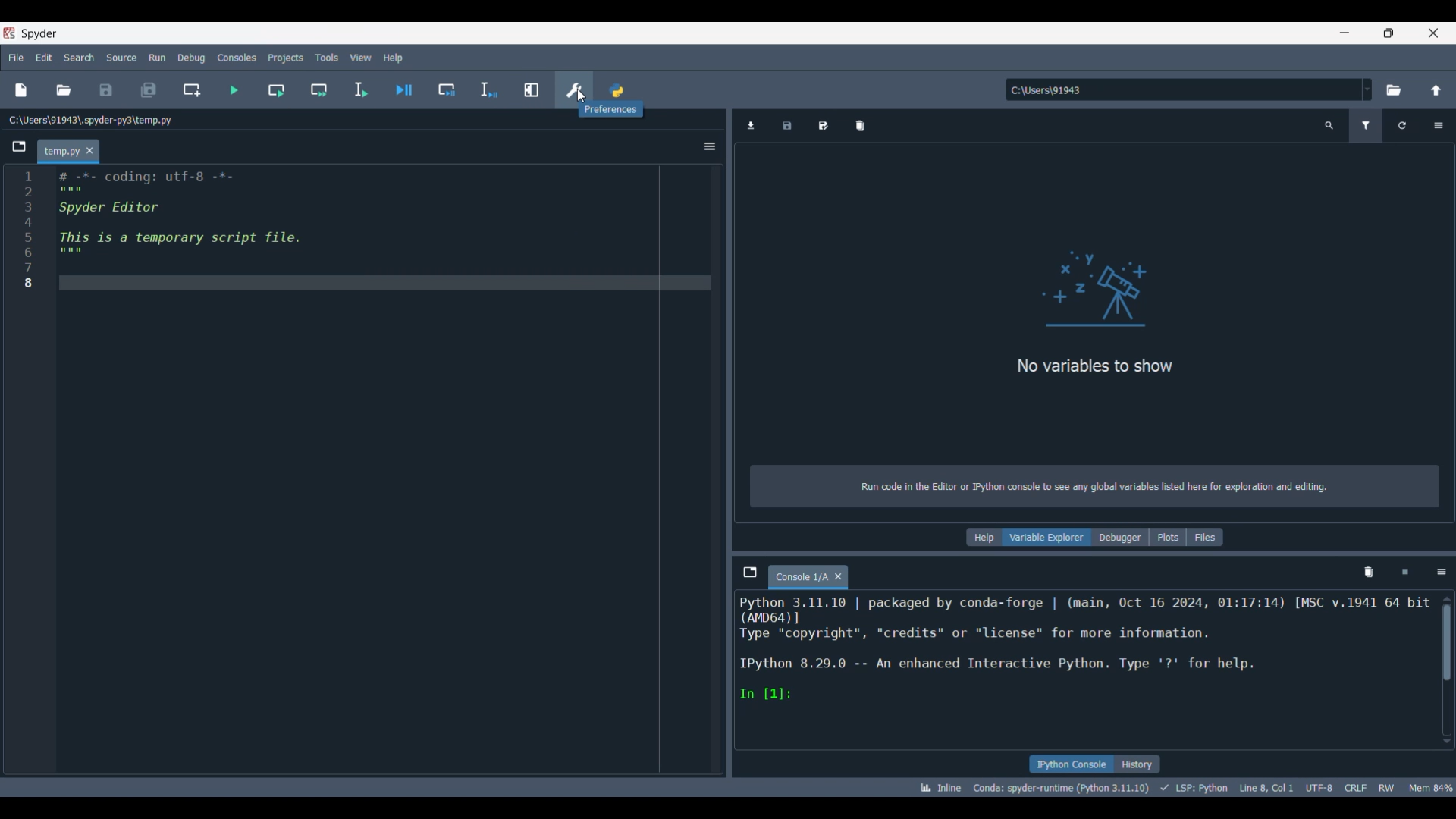  What do you see at coordinates (750, 126) in the screenshot?
I see `Import data` at bounding box center [750, 126].